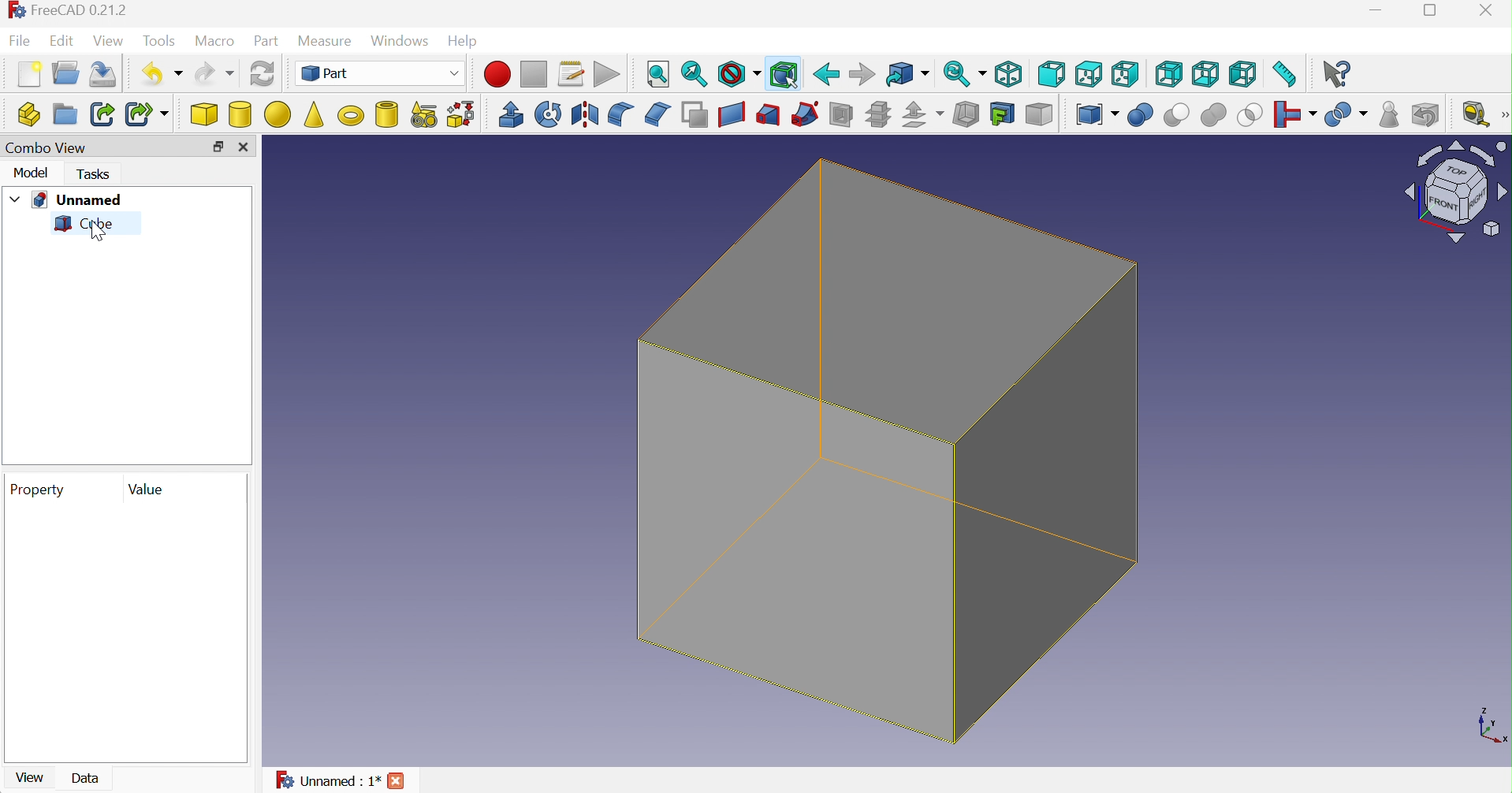 The image size is (1512, 793). I want to click on Refresh, so click(263, 75).